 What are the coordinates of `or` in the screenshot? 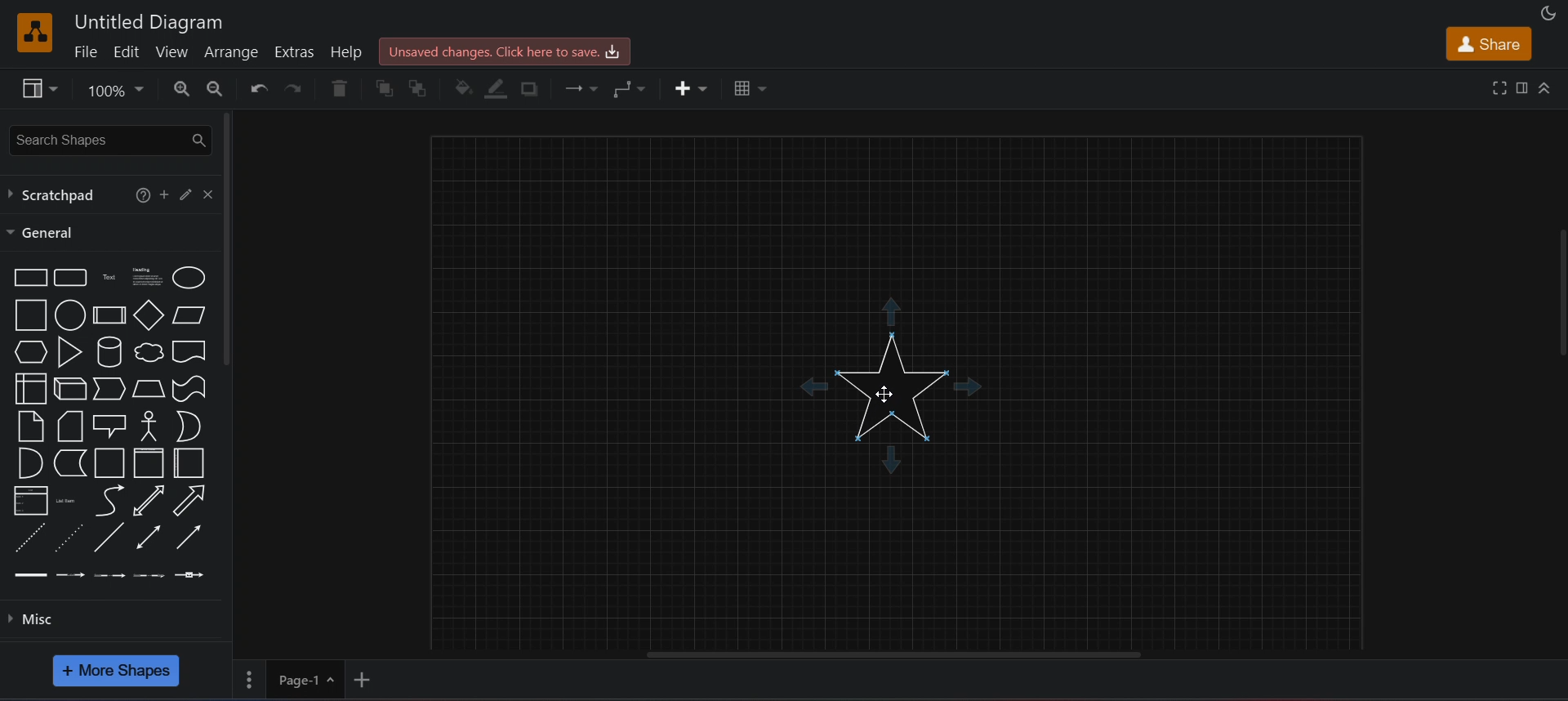 It's located at (189, 426).